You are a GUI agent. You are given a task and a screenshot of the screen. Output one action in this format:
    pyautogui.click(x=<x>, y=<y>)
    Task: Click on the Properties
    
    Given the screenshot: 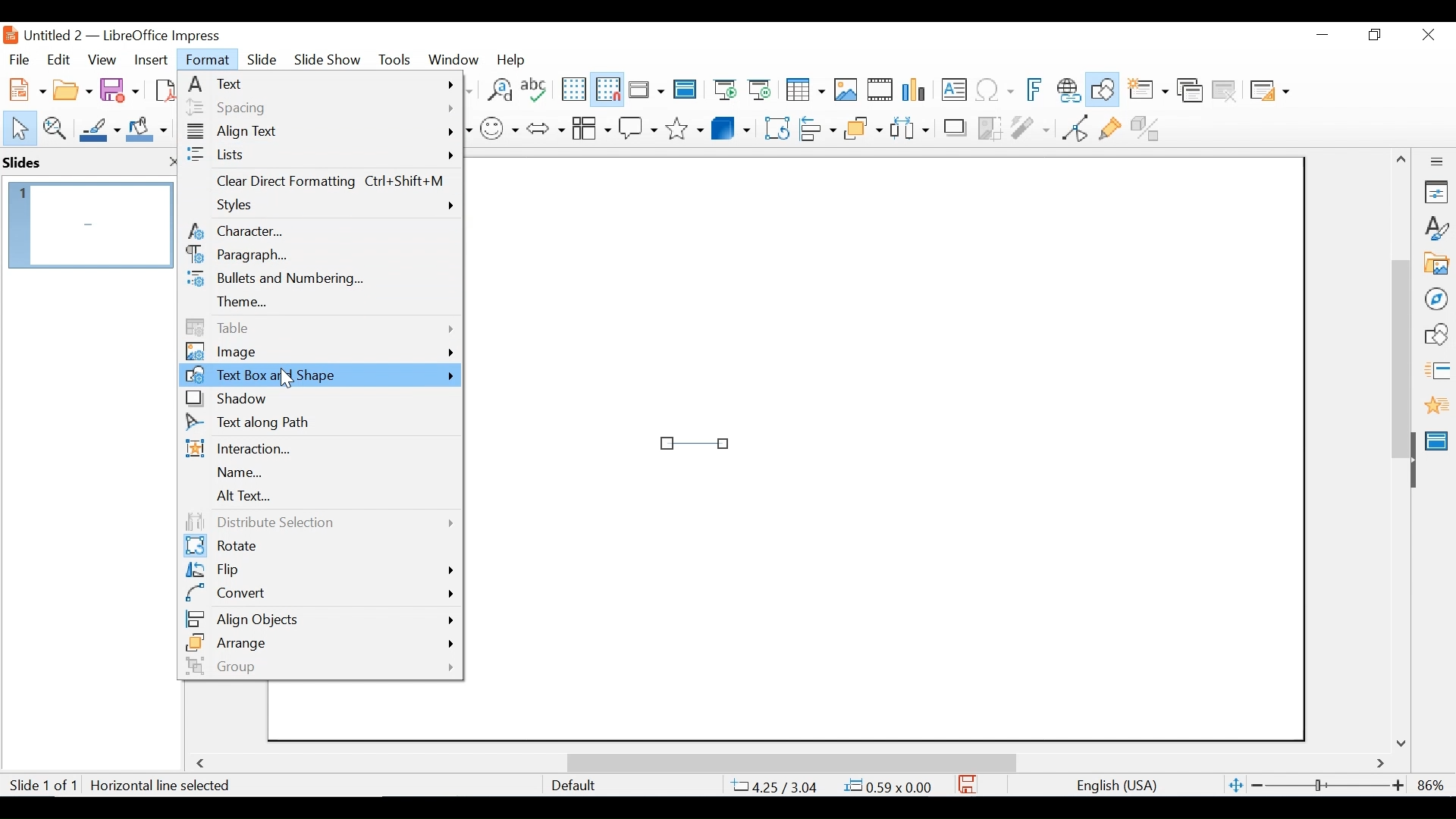 What is the action you would take?
    pyautogui.click(x=1436, y=192)
    